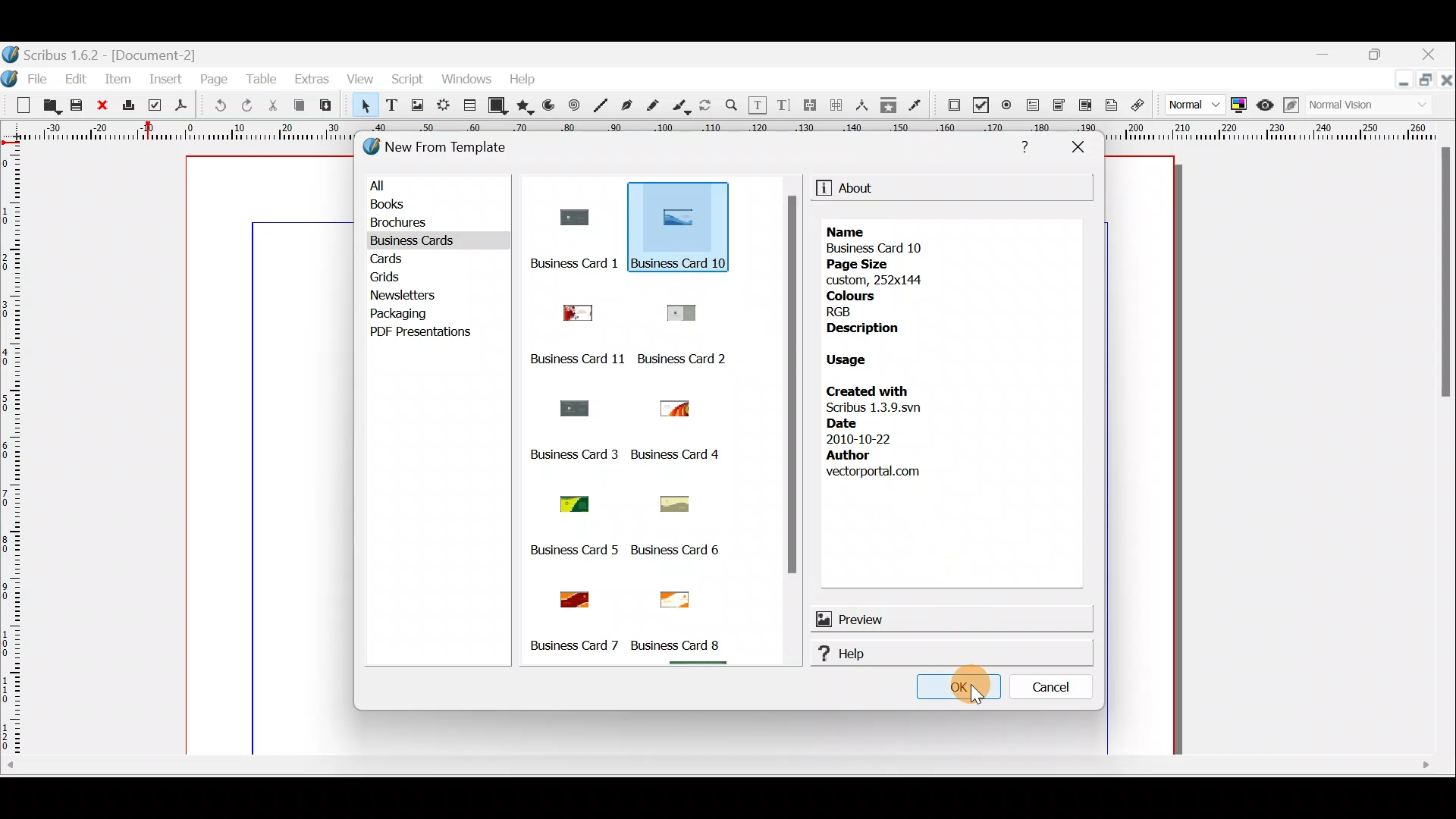  Describe the element at coordinates (469, 81) in the screenshot. I see `Windows` at that location.